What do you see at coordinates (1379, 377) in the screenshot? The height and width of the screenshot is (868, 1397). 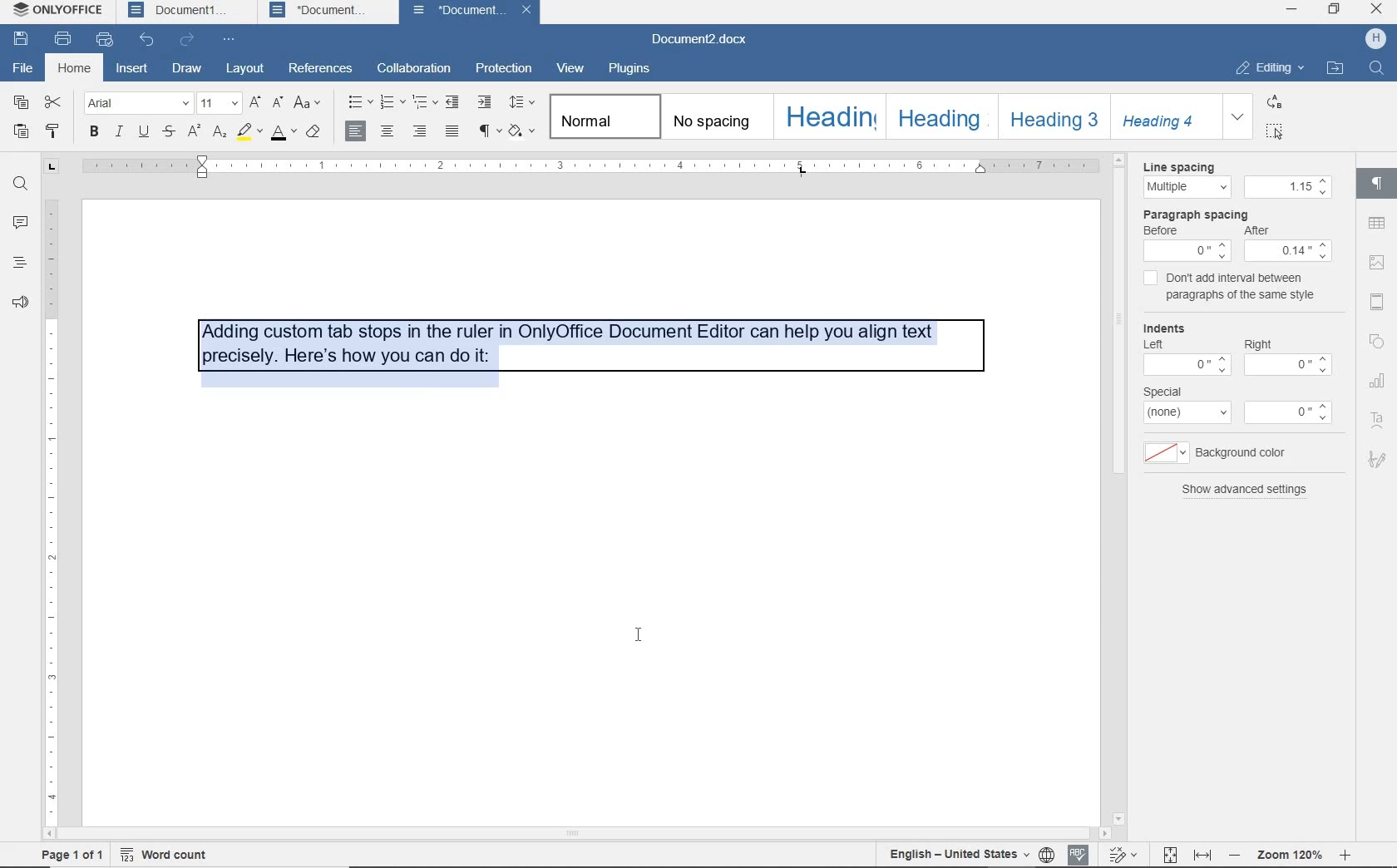 I see `chart` at bounding box center [1379, 377].